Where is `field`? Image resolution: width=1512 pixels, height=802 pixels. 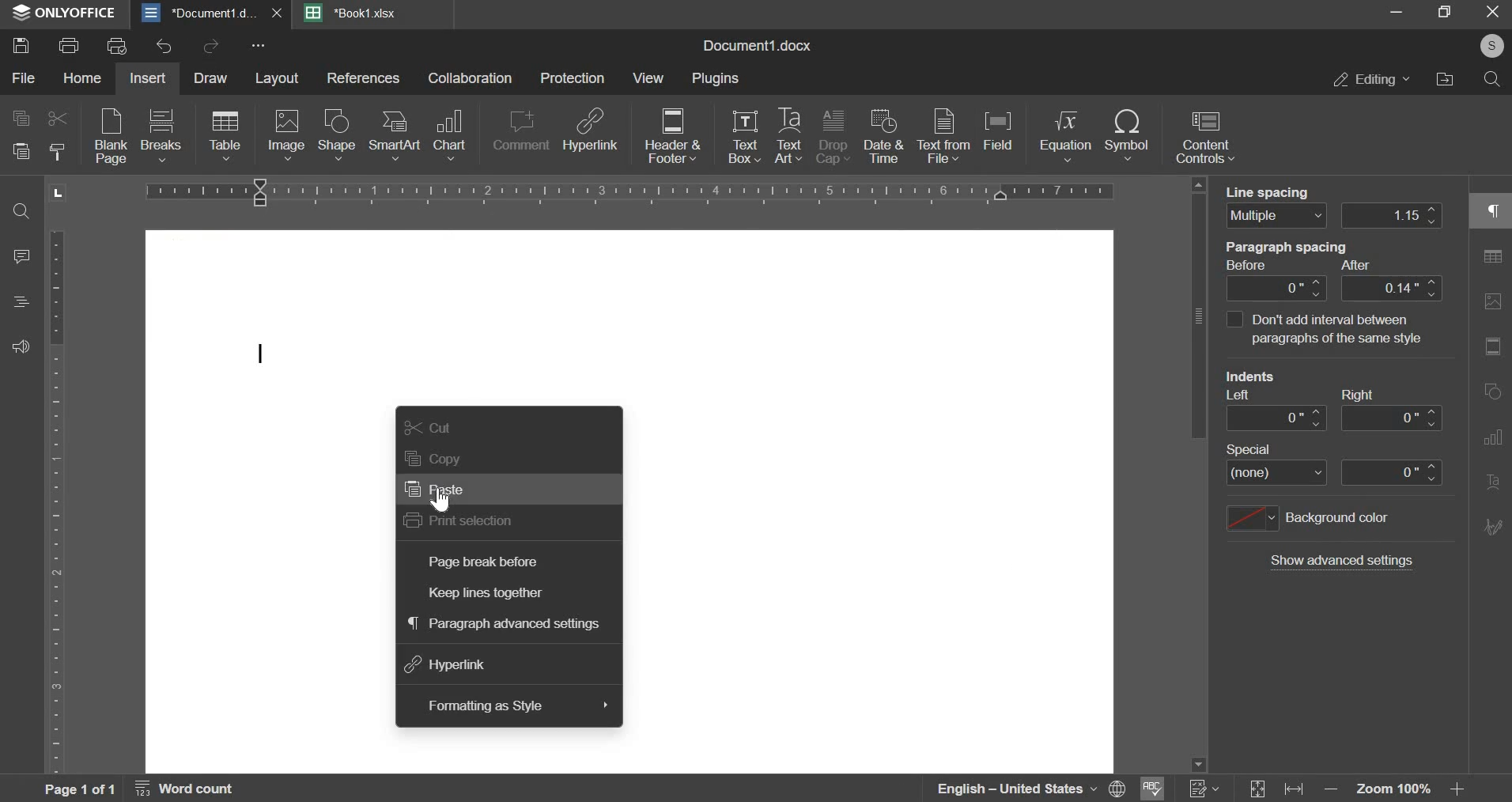
field is located at coordinates (1003, 136).